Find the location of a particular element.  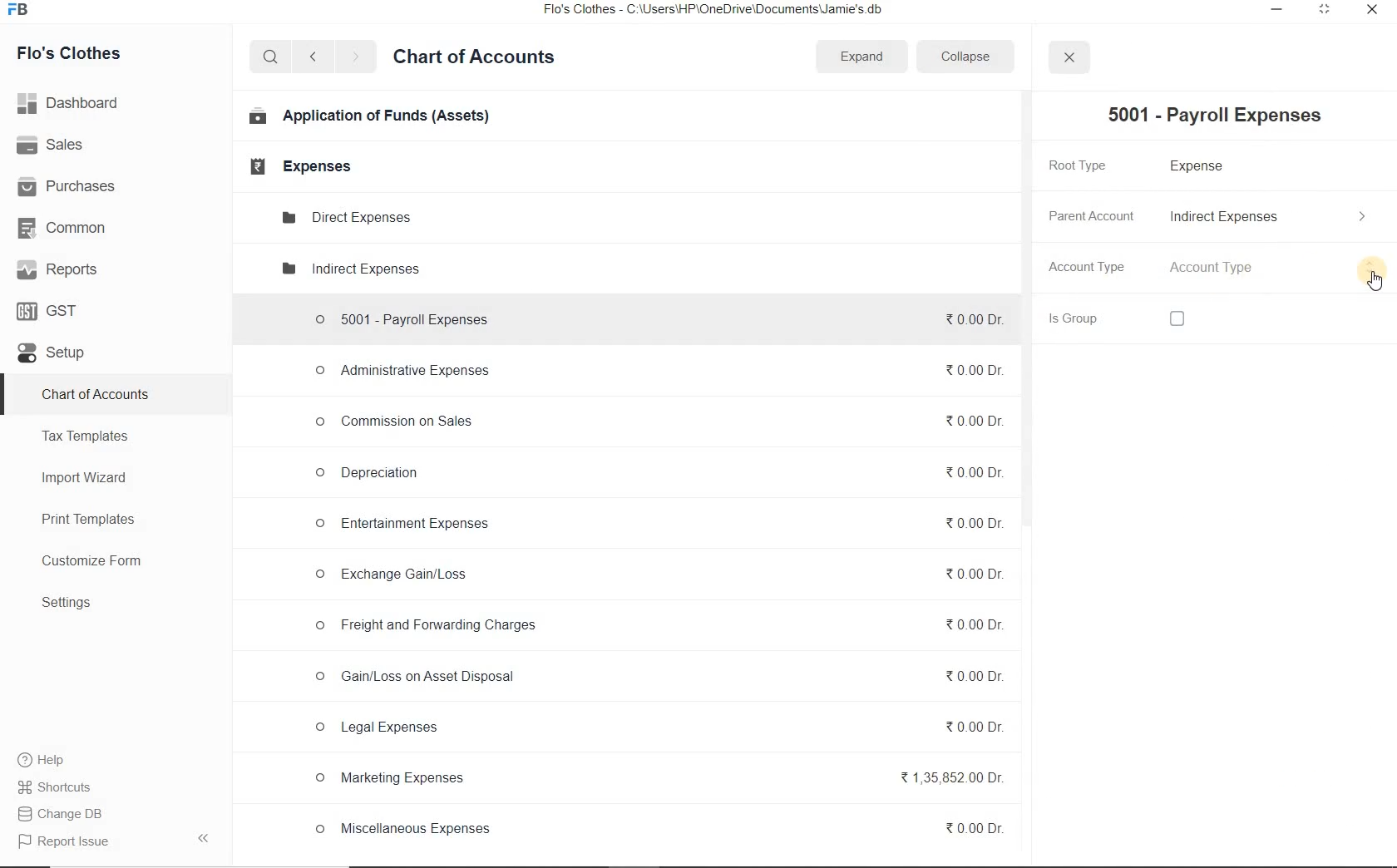

Sales is located at coordinates (53, 145).